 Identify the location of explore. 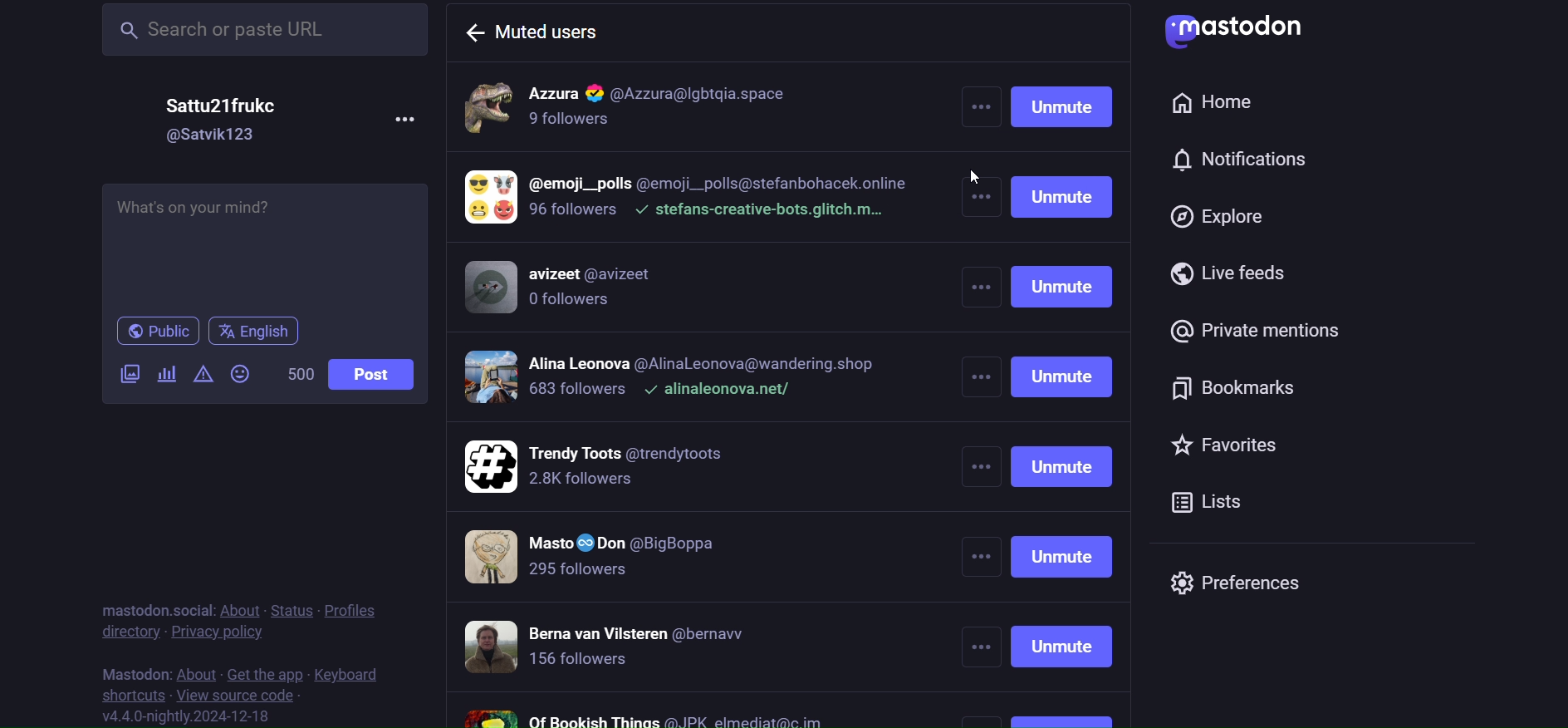
(1230, 218).